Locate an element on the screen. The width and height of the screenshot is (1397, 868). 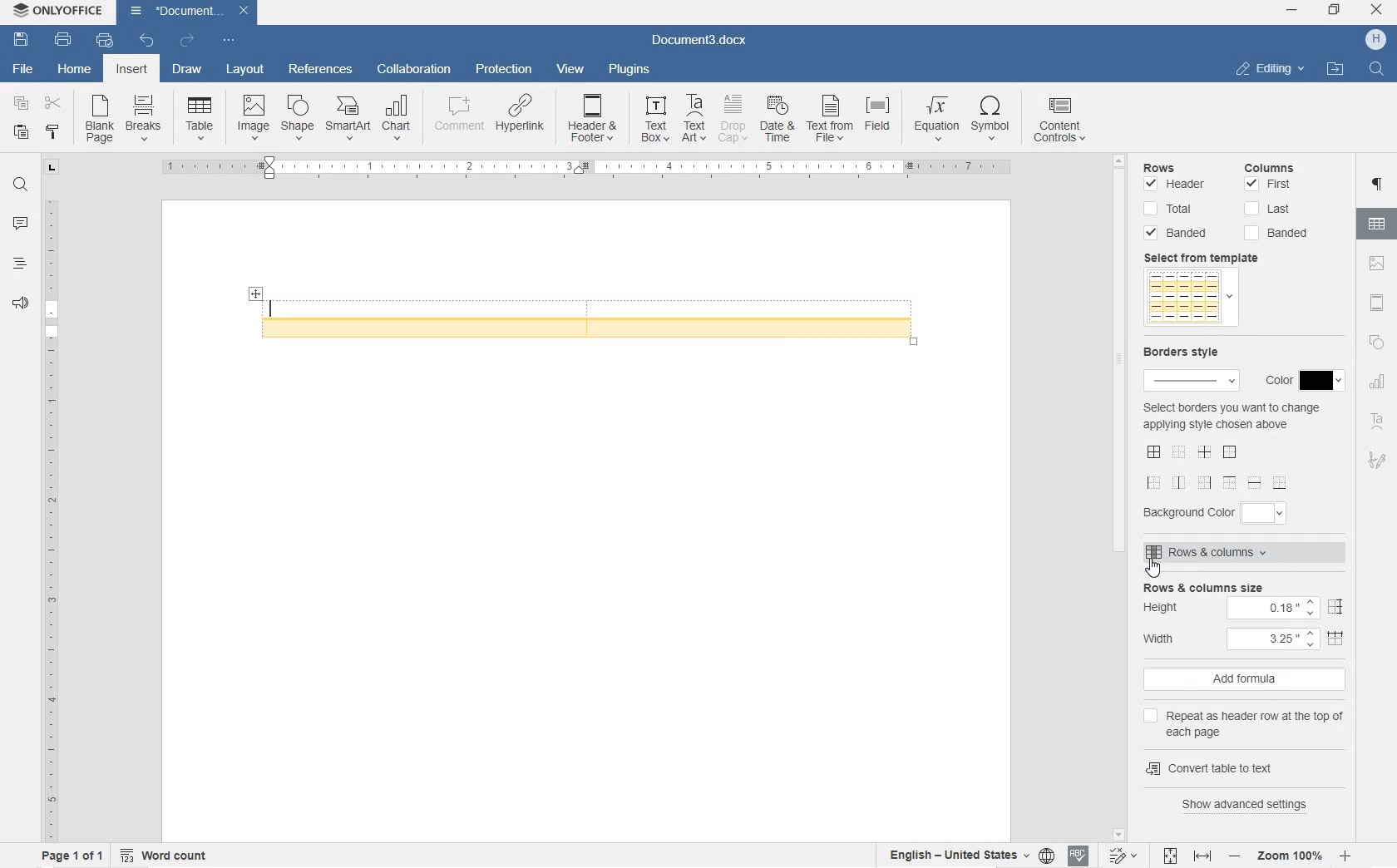
border styles is located at coordinates (1219, 466).